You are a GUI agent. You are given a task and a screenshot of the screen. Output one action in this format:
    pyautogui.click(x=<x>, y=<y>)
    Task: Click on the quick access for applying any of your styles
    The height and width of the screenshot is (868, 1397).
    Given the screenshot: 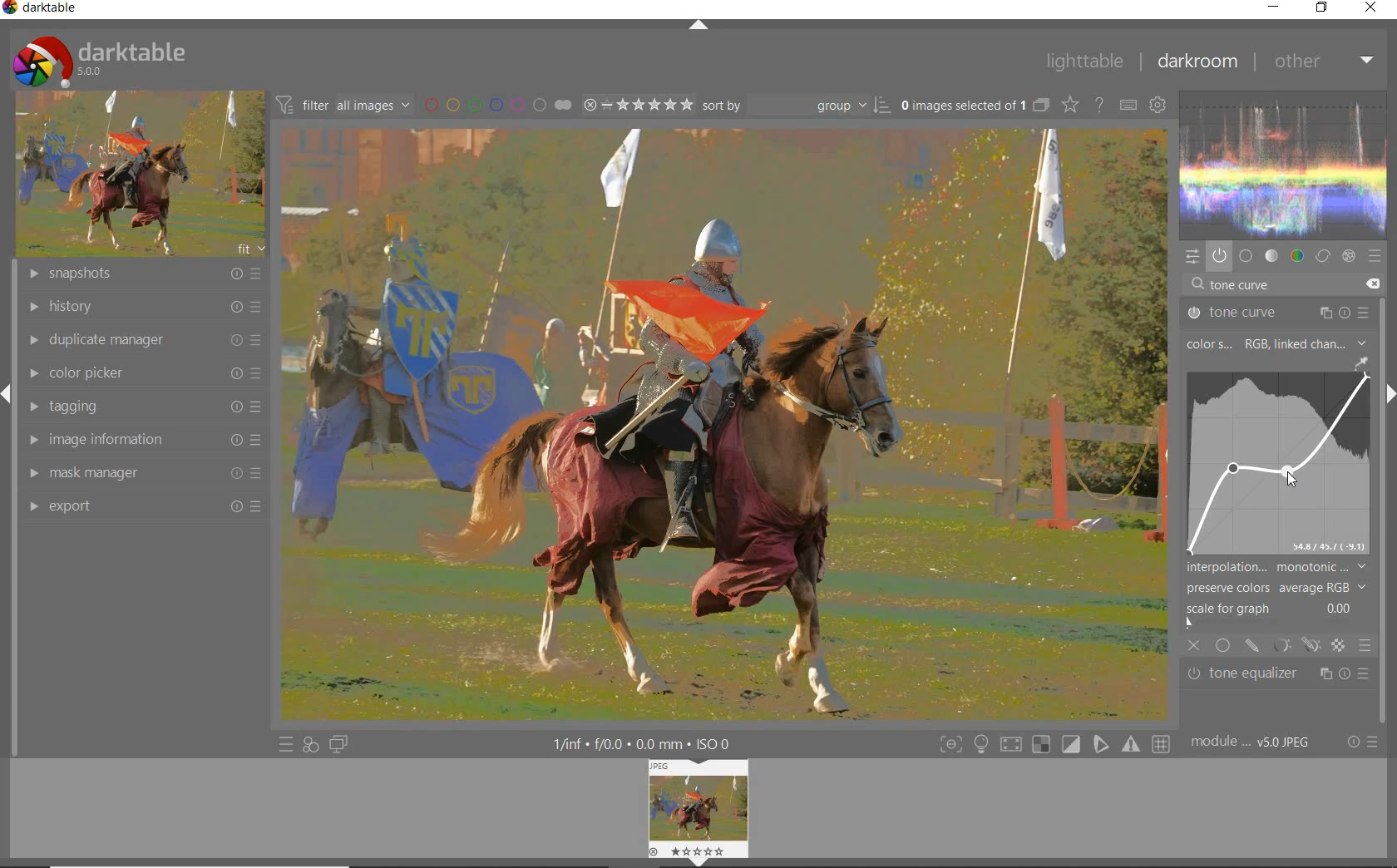 What is the action you would take?
    pyautogui.click(x=309, y=745)
    